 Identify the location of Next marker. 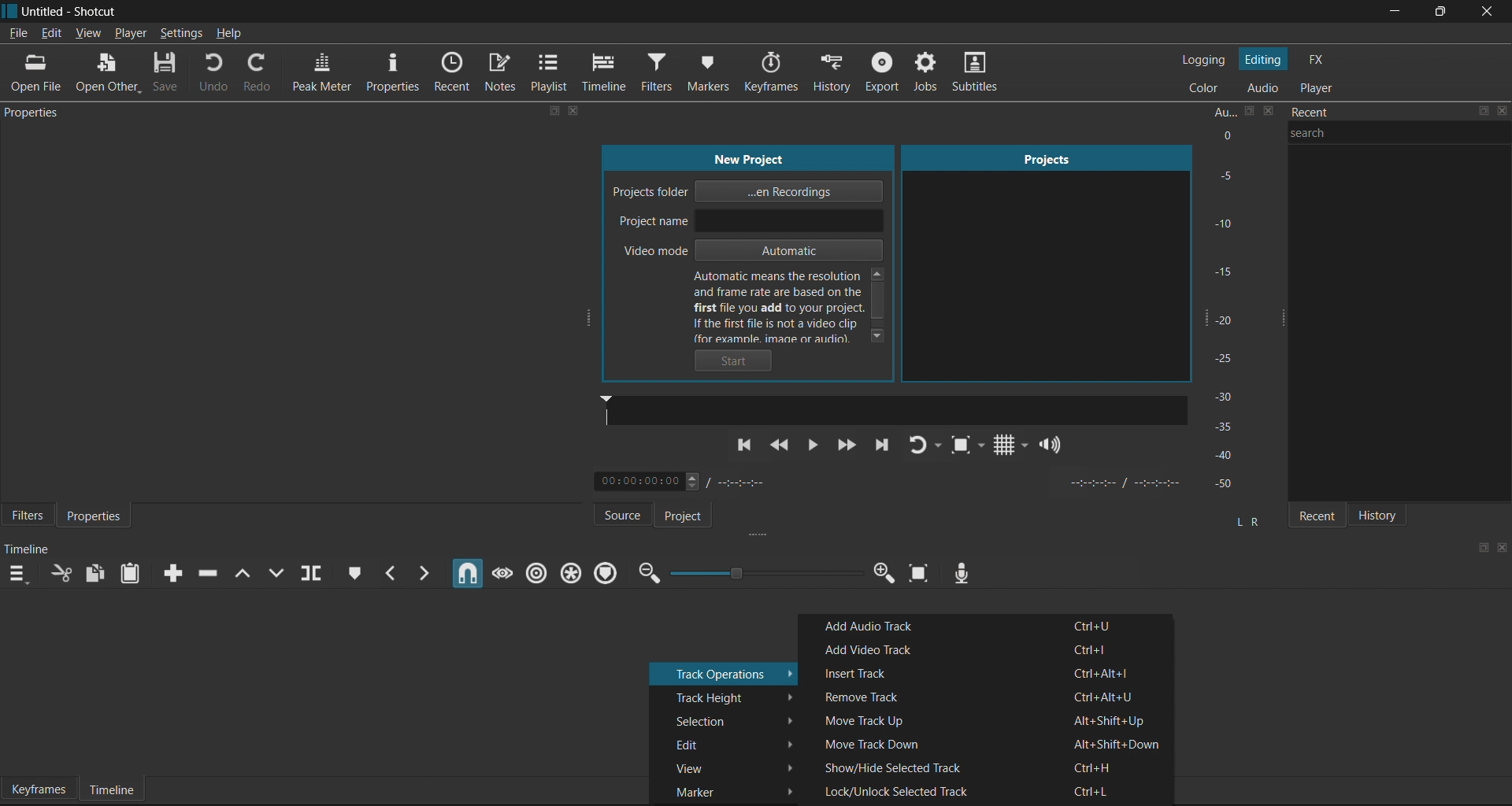
(424, 571).